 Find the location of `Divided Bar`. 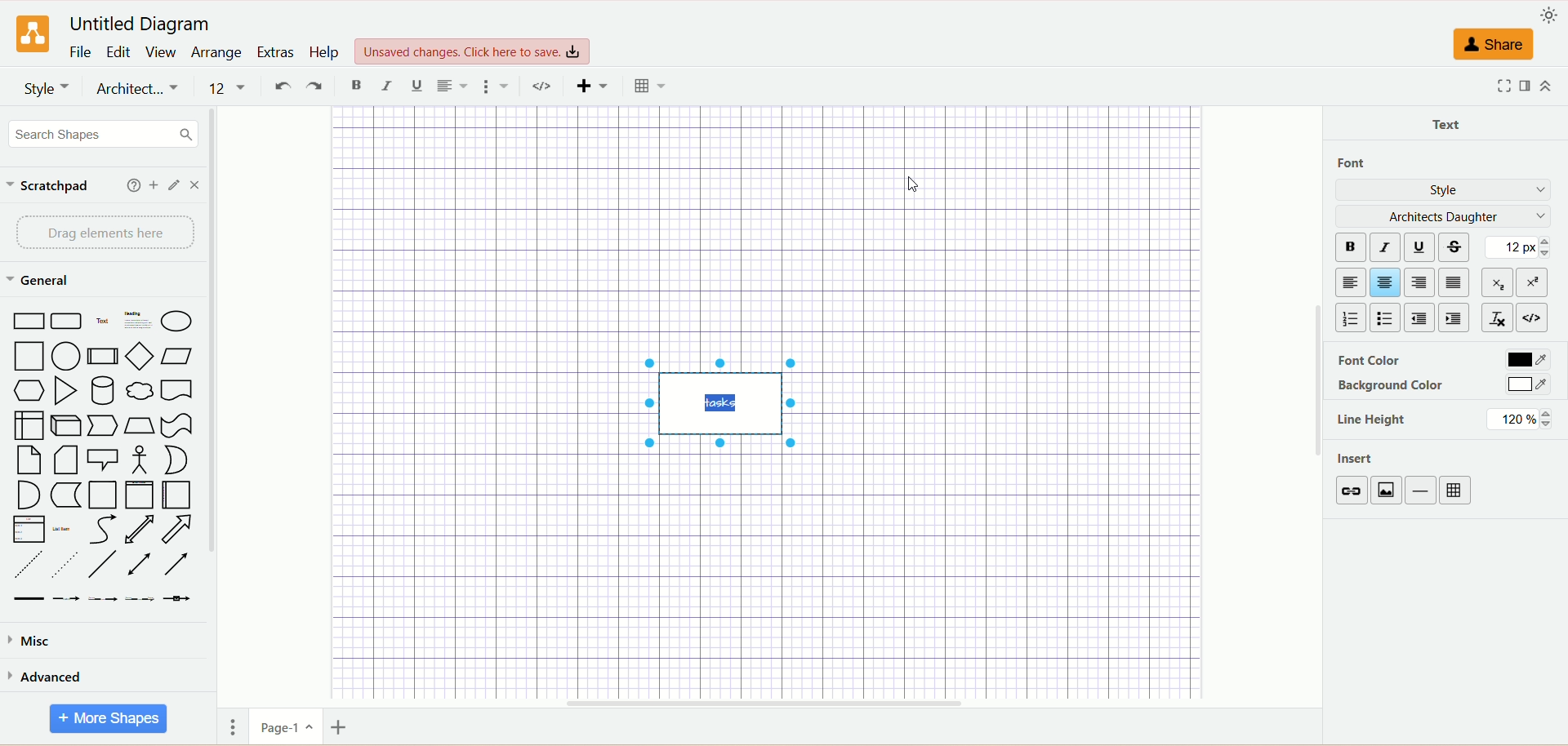

Divided Bar is located at coordinates (104, 357).